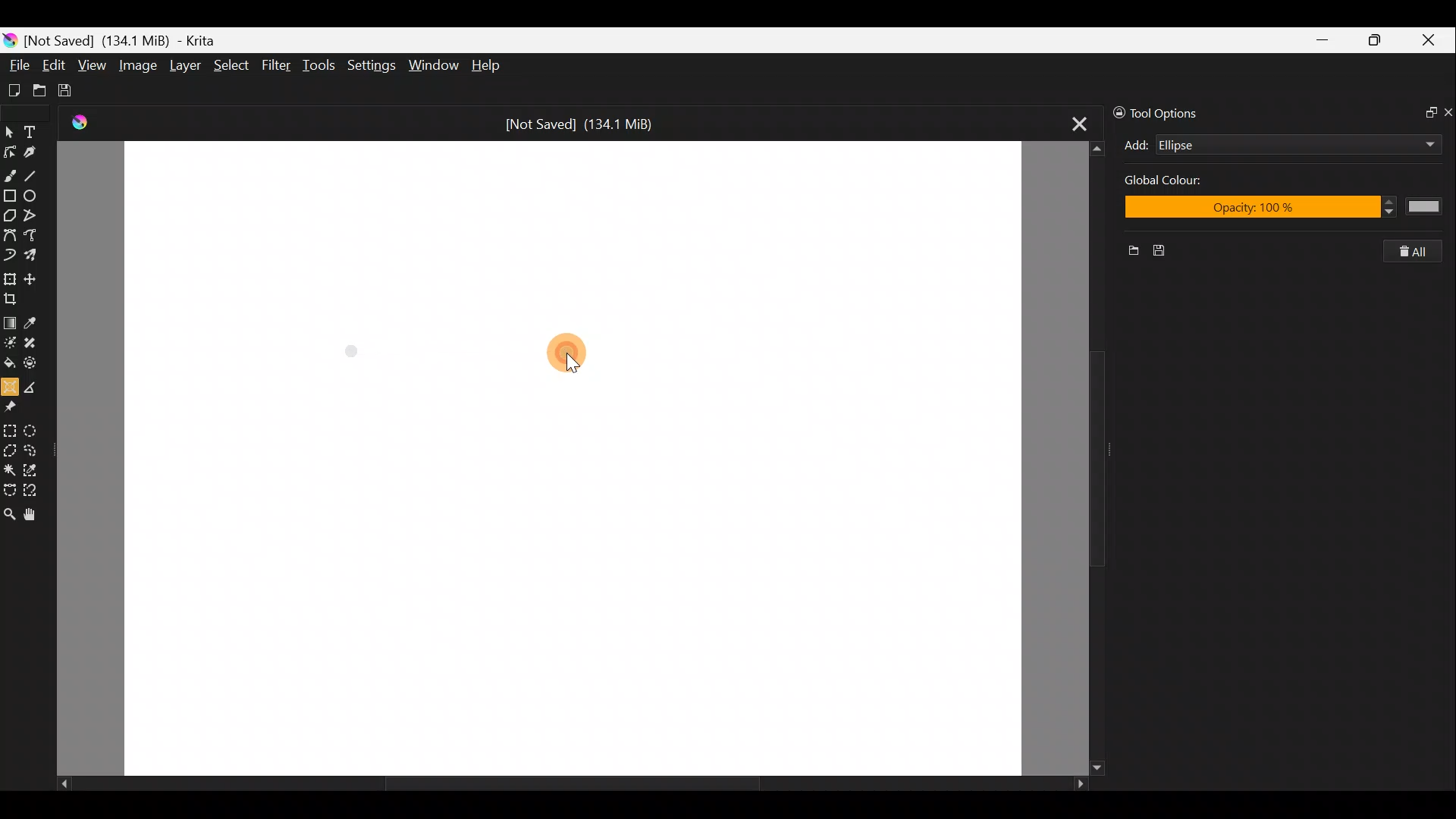 Image resolution: width=1456 pixels, height=819 pixels. I want to click on Elliptical selection tool, so click(38, 428).